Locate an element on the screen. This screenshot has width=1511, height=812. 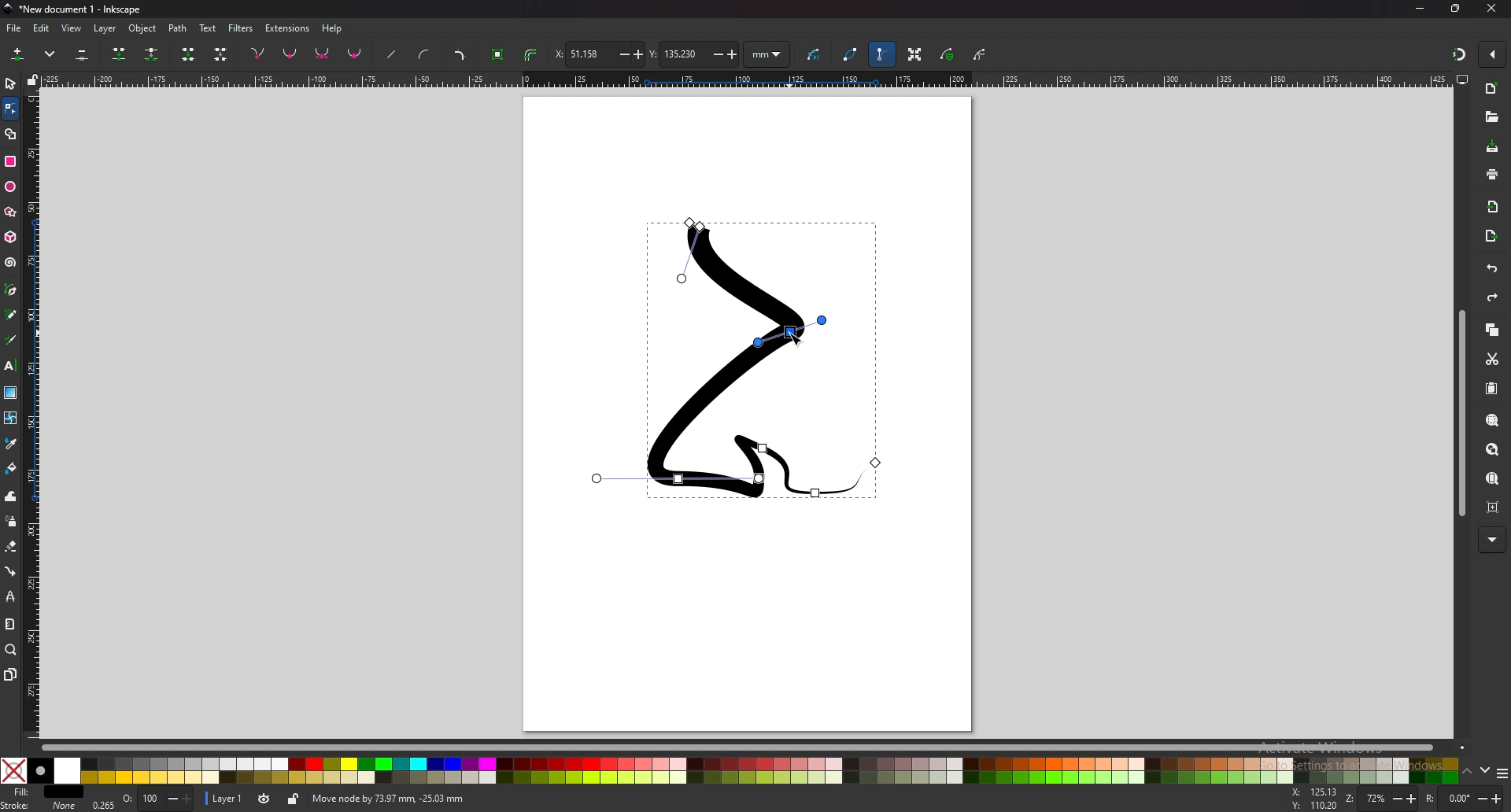
undo is located at coordinates (1489, 269).